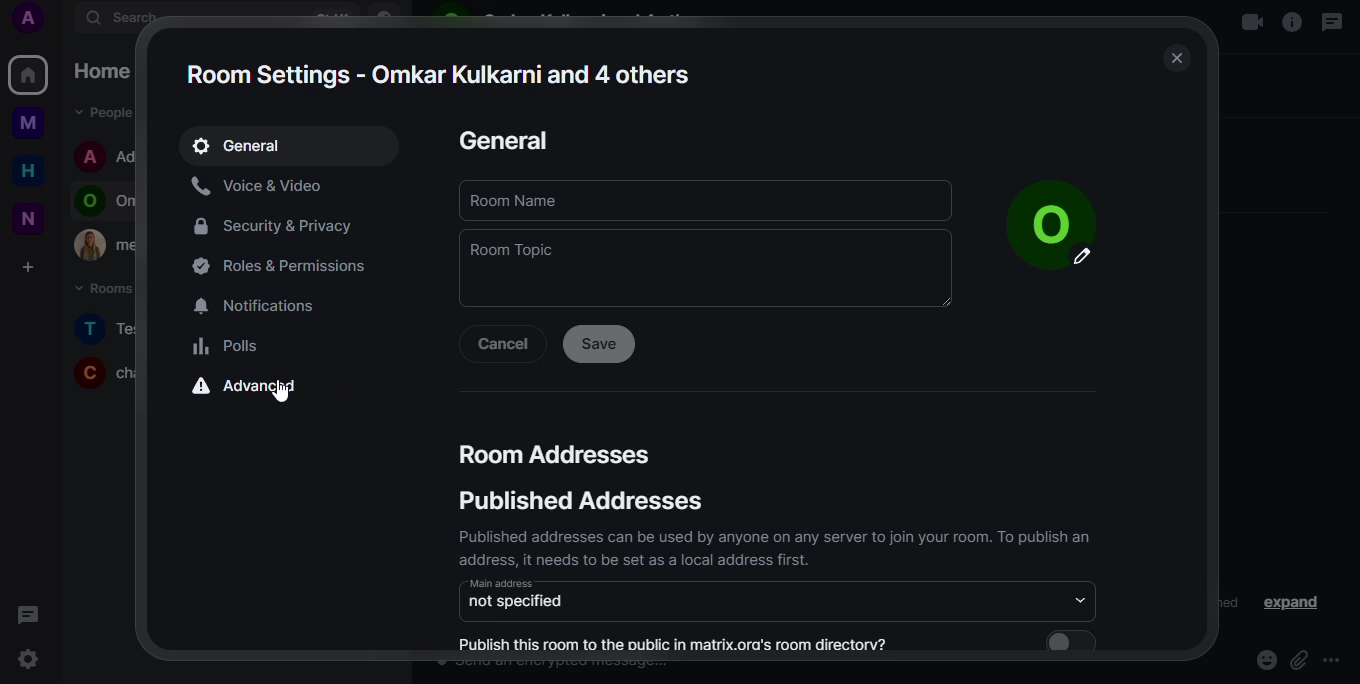 The height and width of the screenshot is (684, 1360). Describe the element at coordinates (525, 604) in the screenshot. I see `not specified` at that location.